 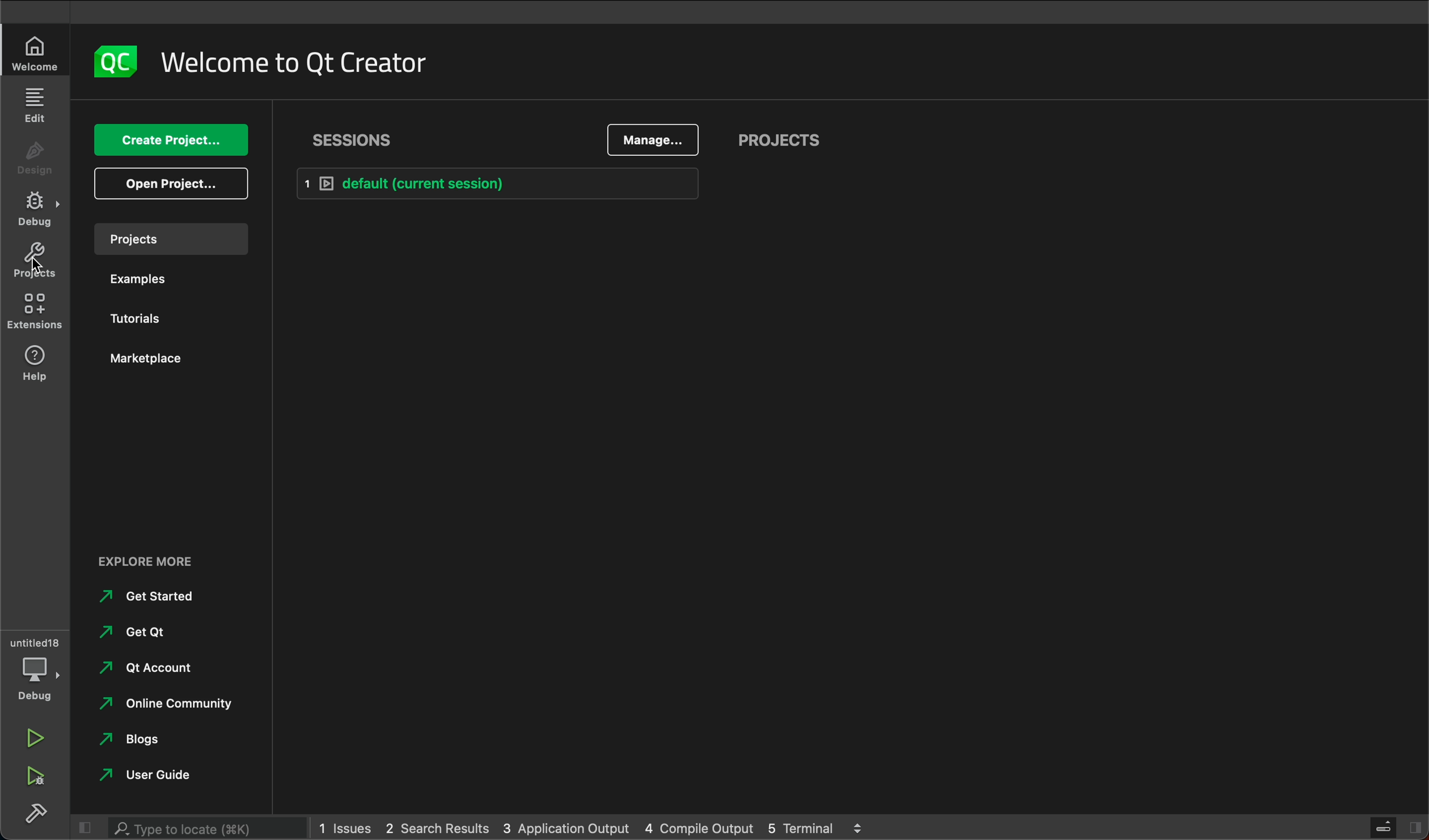 I want to click on create project, so click(x=167, y=140).